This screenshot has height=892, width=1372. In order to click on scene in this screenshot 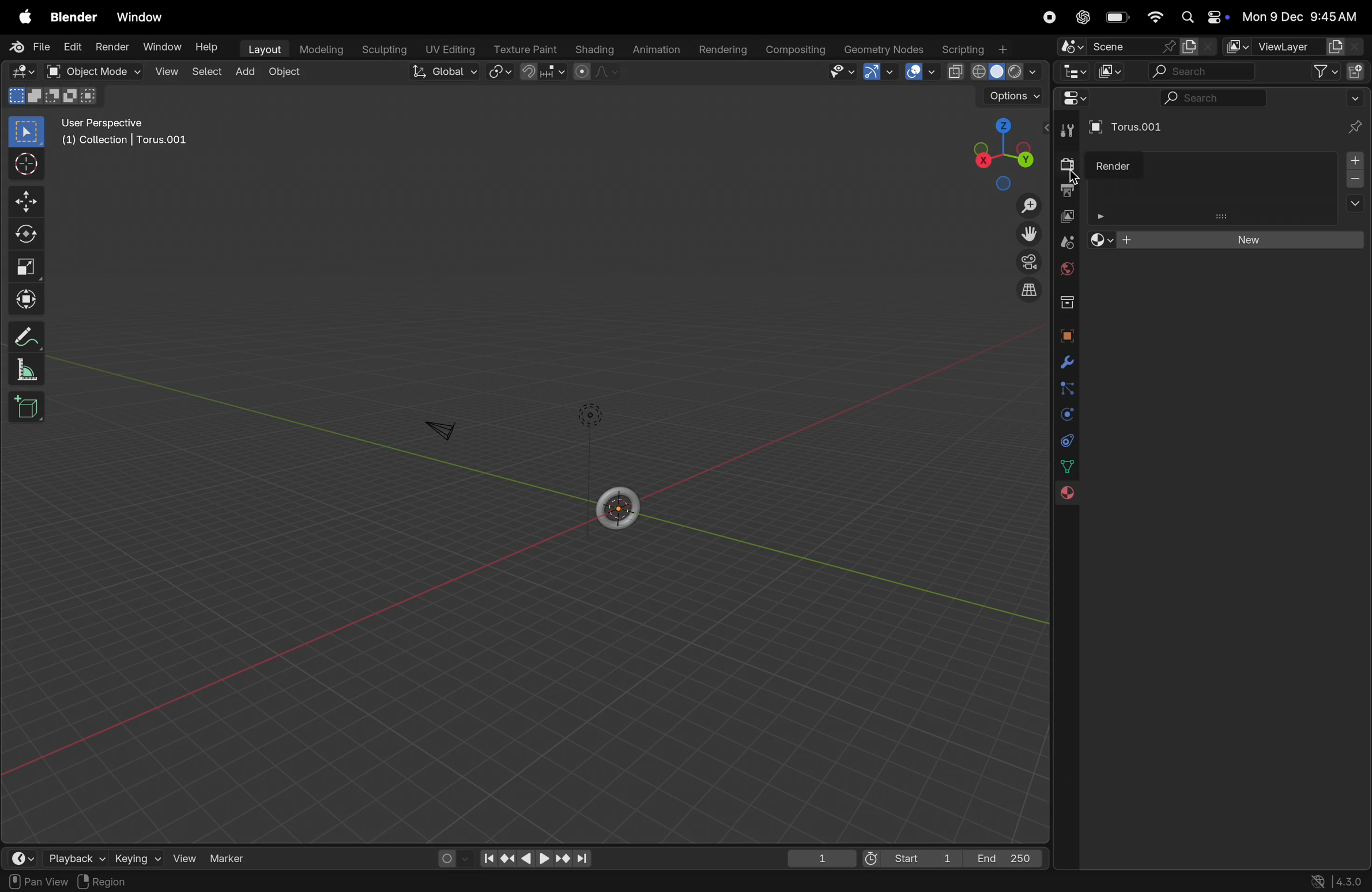, I will do `click(1113, 46)`.